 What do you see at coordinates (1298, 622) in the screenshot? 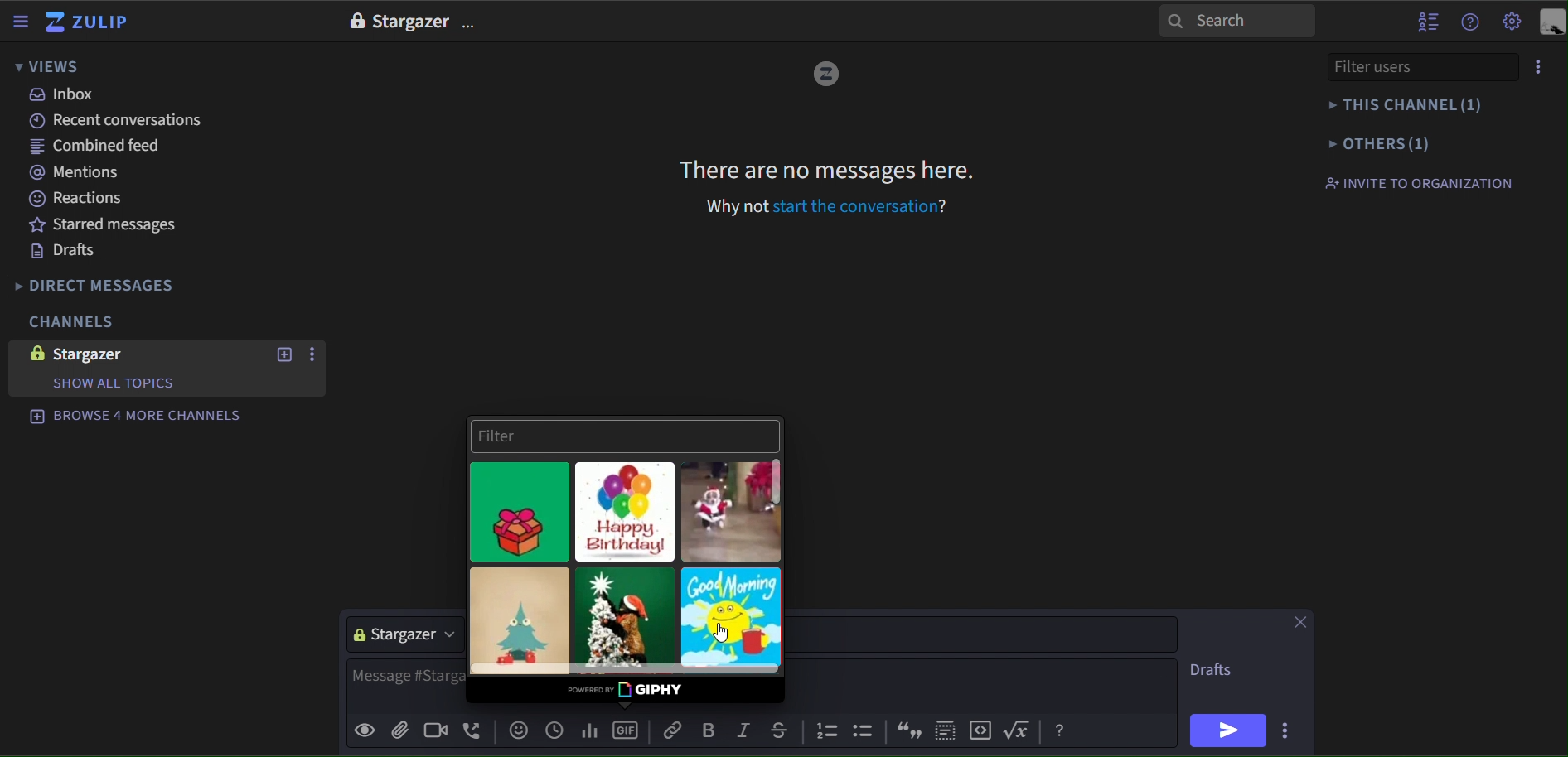
I see `close` at bounding box center [1298, 622].